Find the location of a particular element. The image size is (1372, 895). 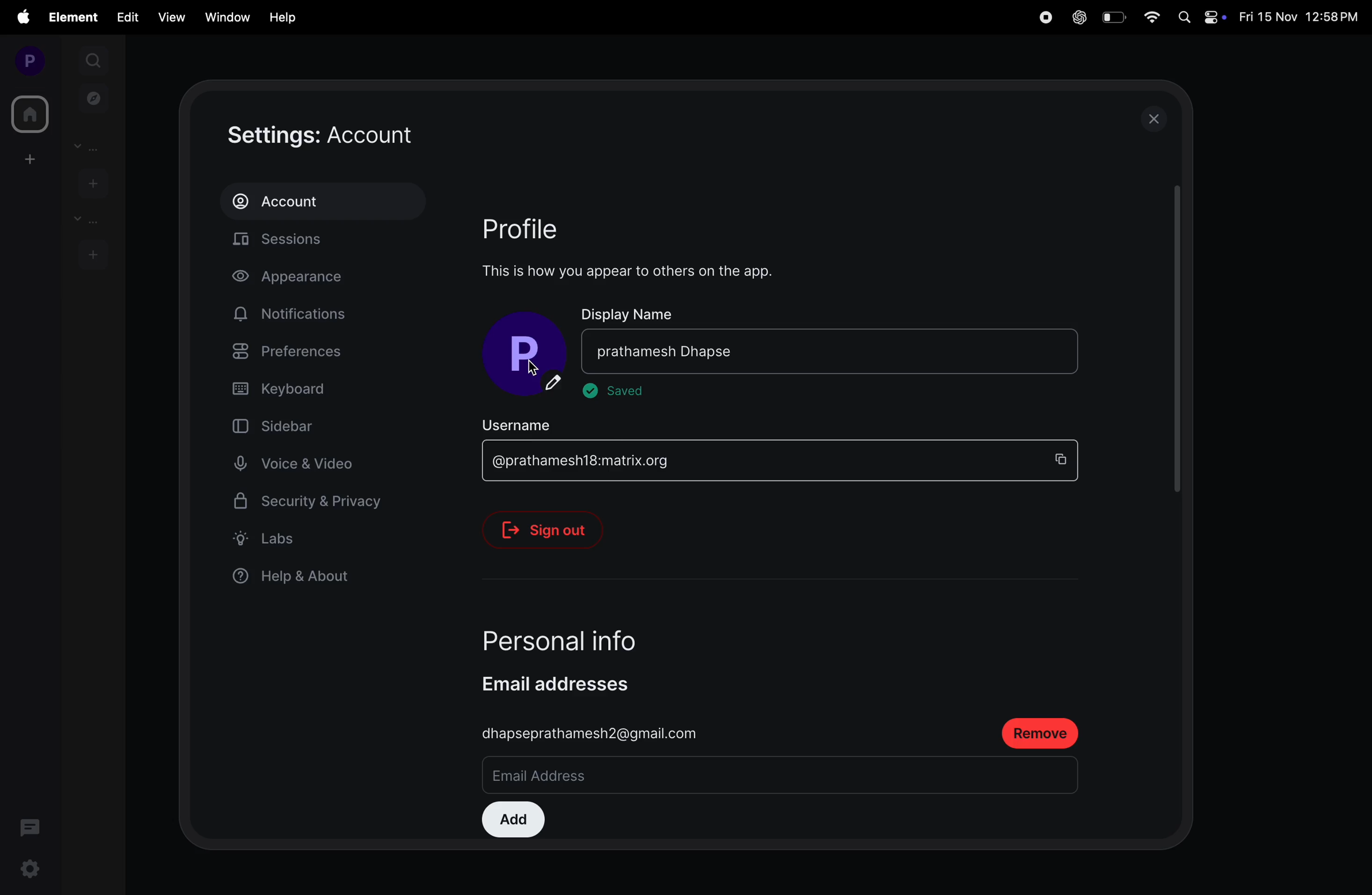

add is located at coordinates (27, 159).